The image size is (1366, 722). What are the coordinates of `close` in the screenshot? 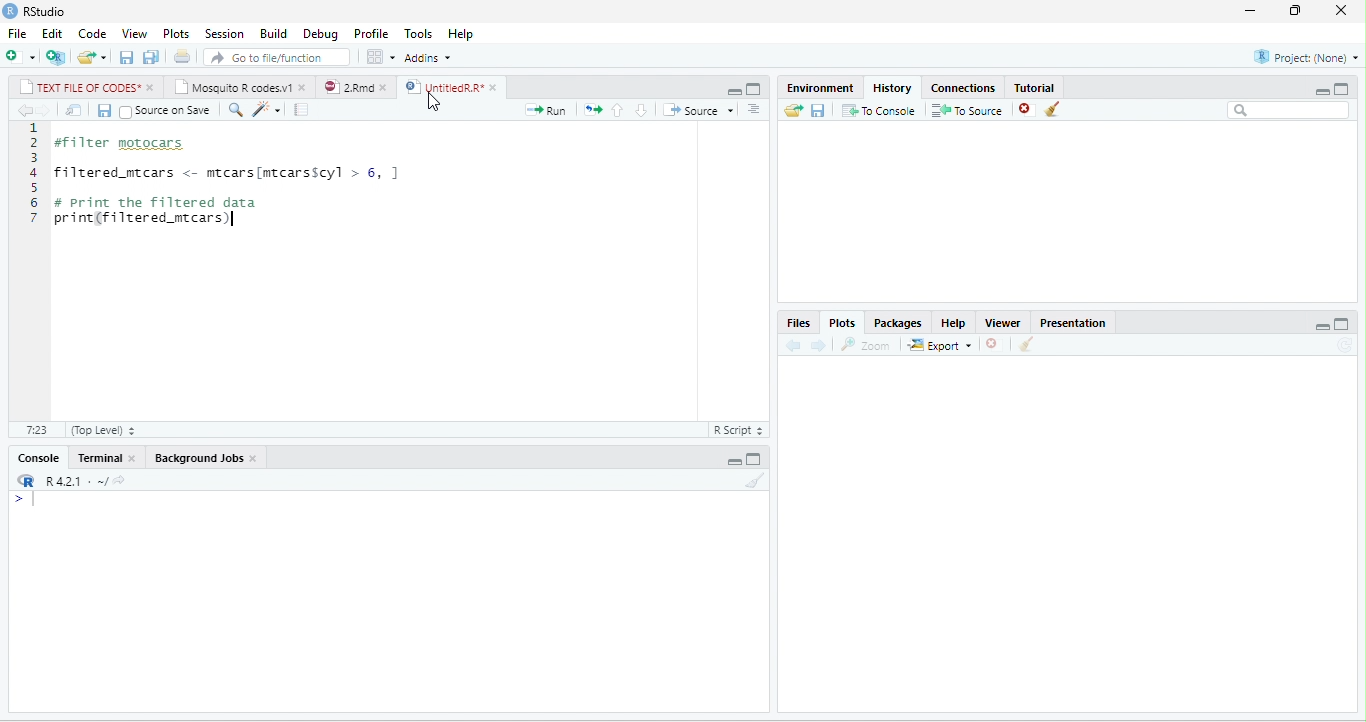 It's located at (304, 89).